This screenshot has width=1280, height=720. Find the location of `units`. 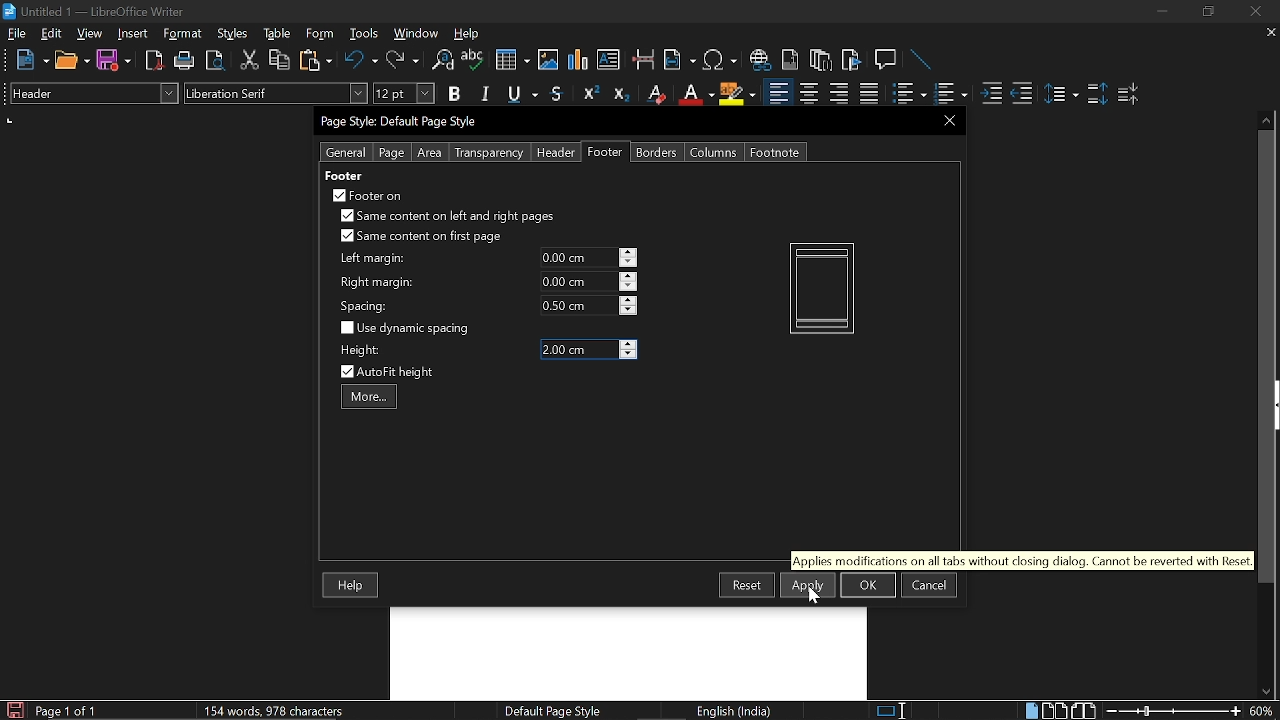

units is located at coordinates (11, 121).